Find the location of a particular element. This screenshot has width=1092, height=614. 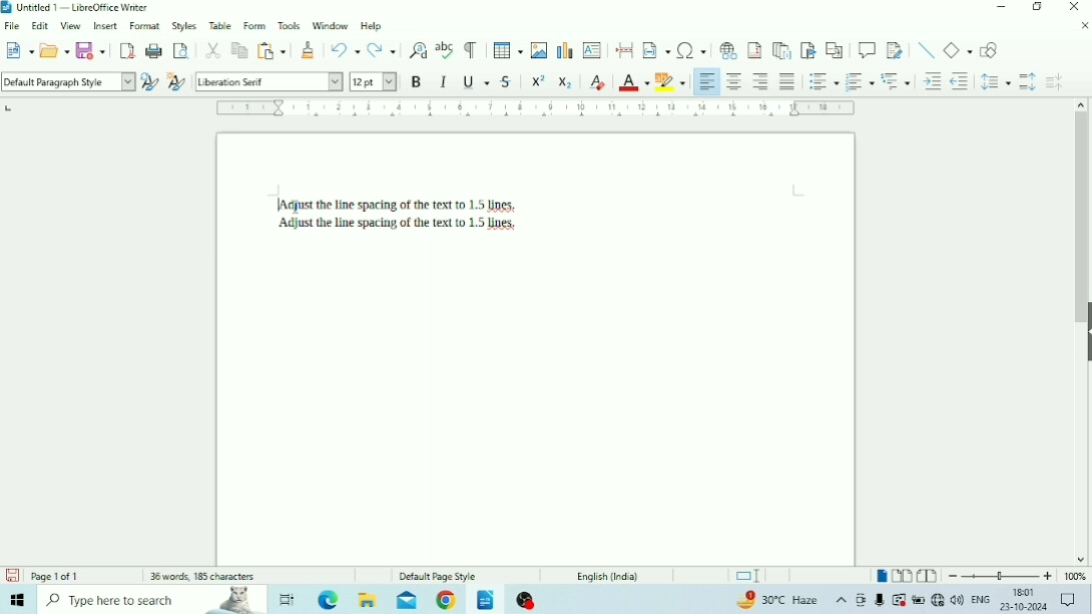

Temperature is located at coordinates (778, 600).